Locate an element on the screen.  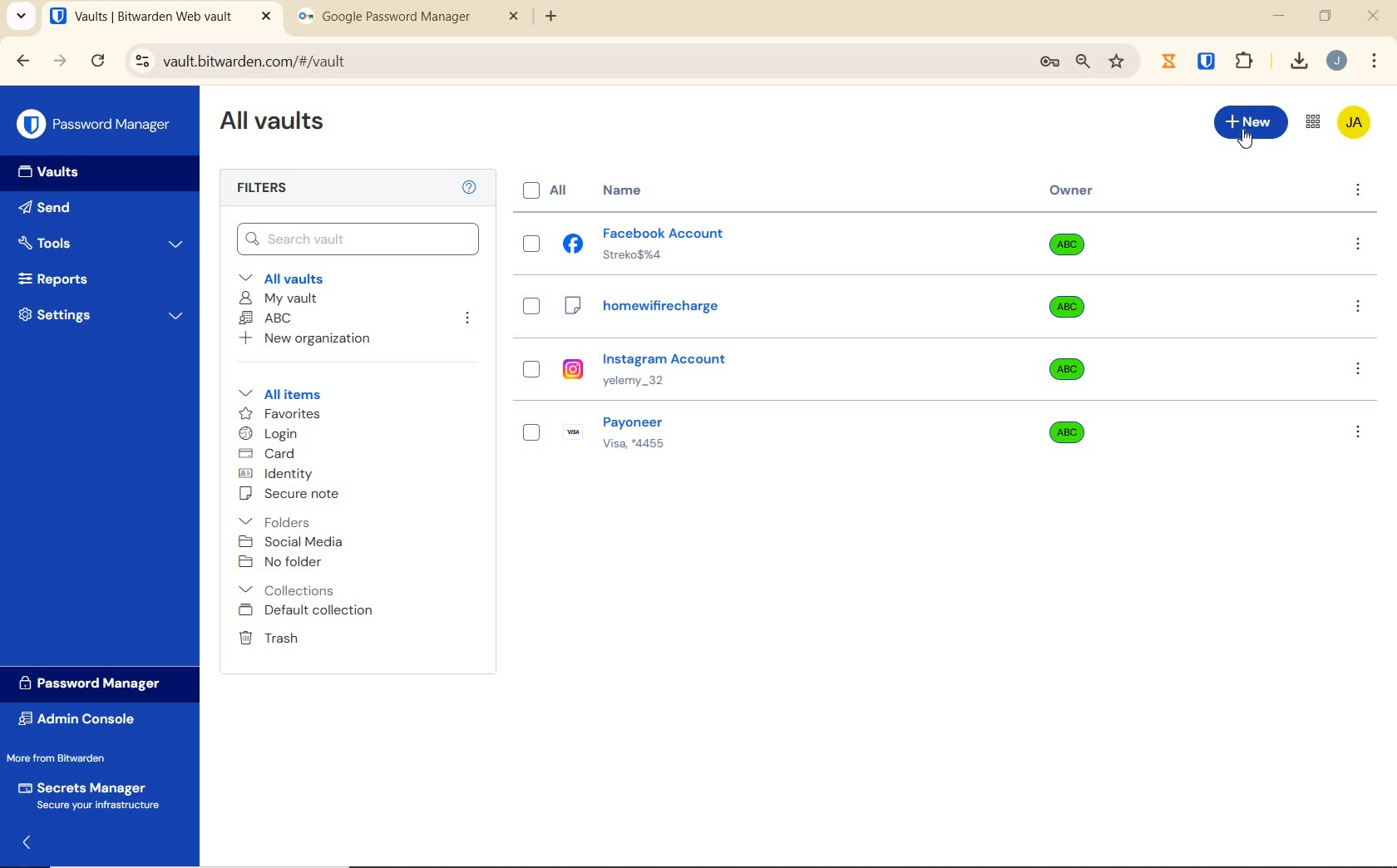
extensions is located at coordinates (1208, 60).